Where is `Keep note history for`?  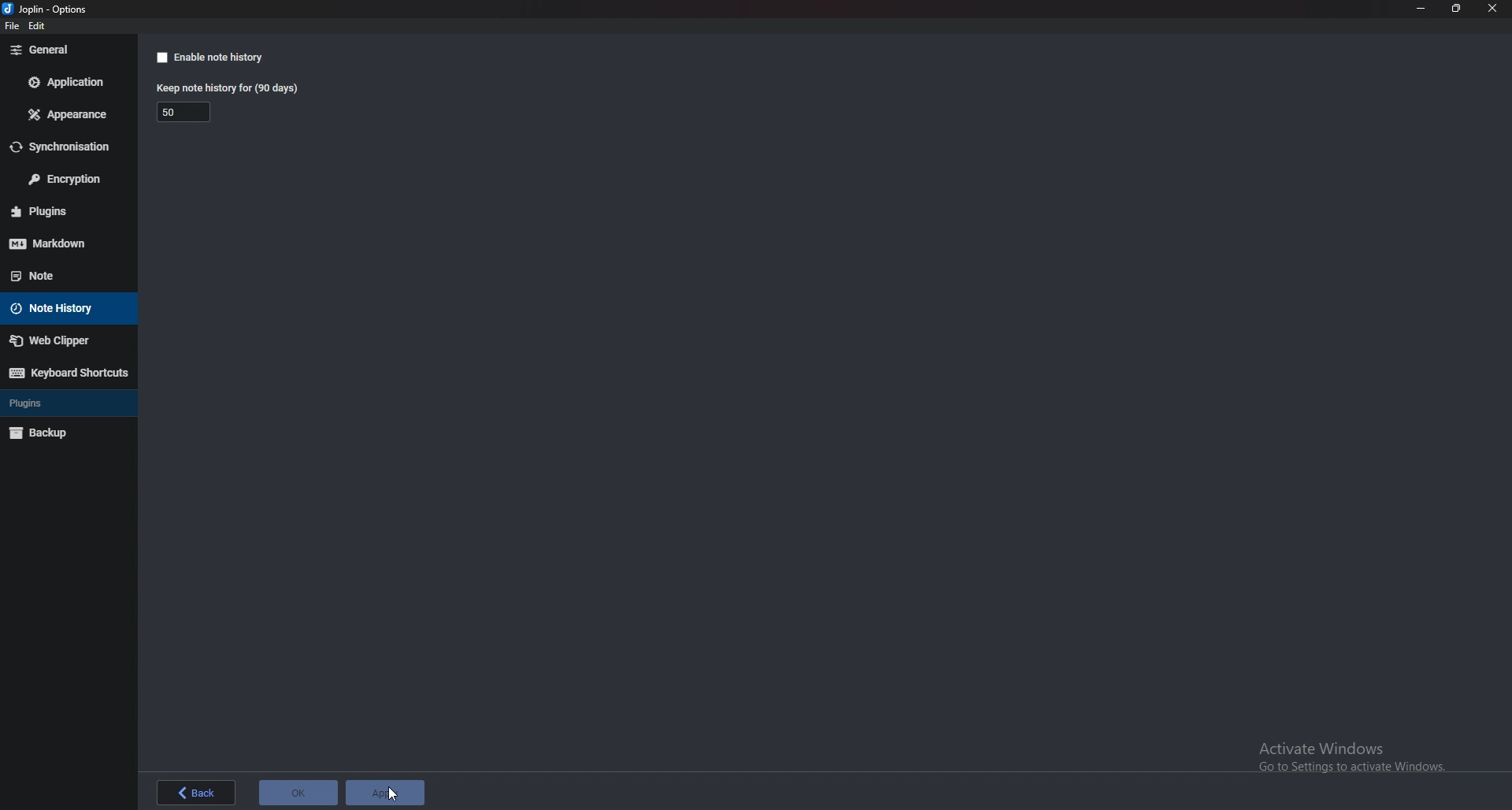
Keep note history for is located at coordinates (225, 89).